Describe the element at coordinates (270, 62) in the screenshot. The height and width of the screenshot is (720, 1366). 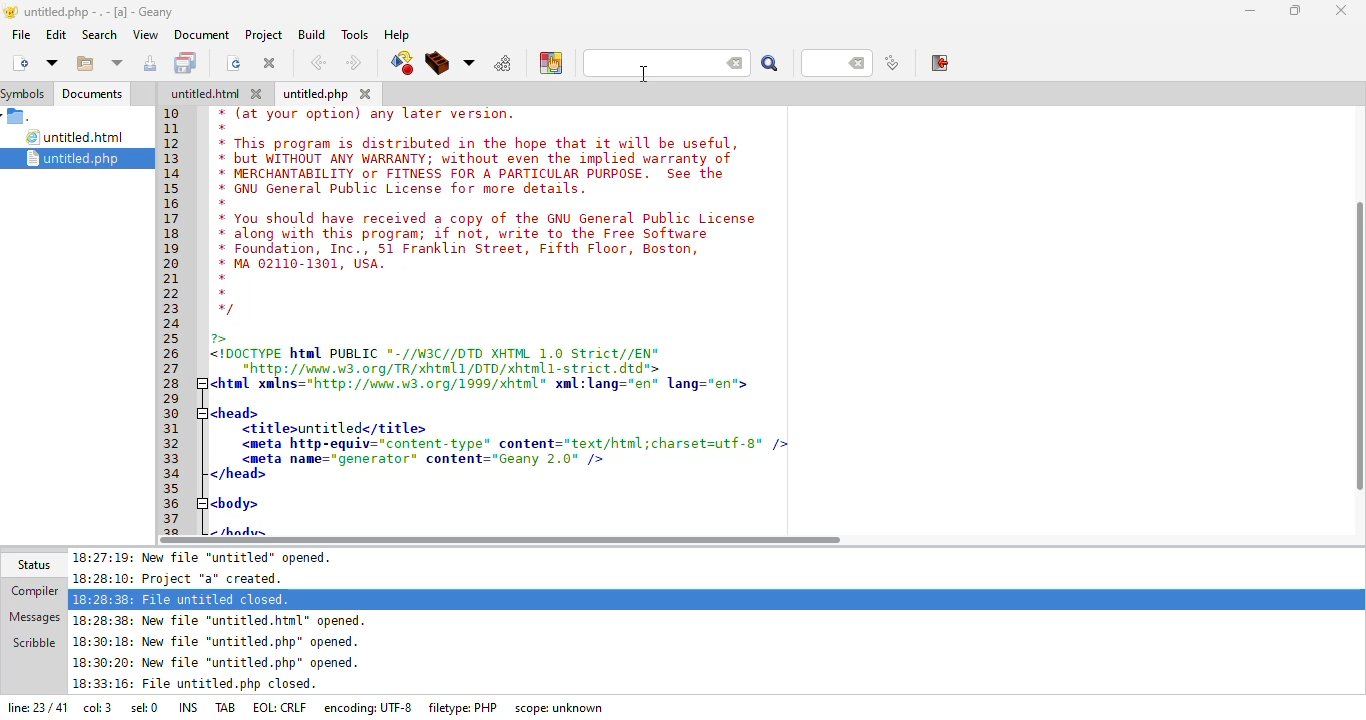
I see `close` at that location.